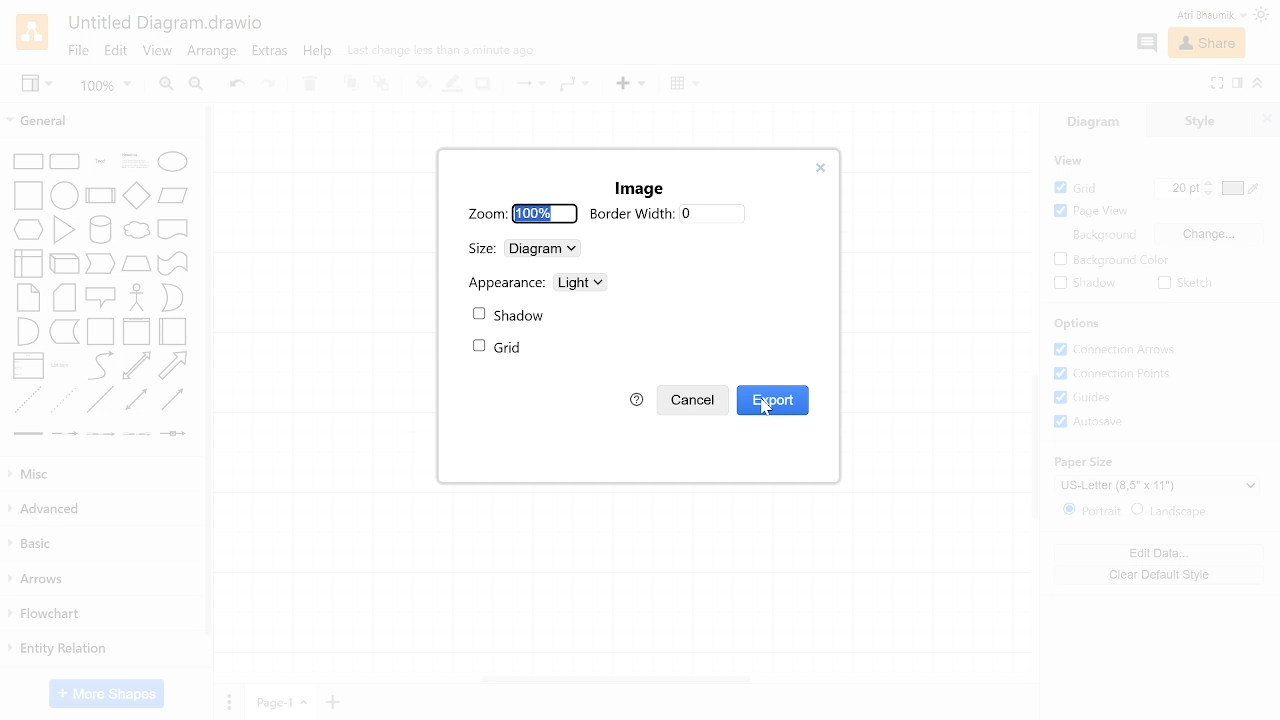 This screenshot has height=720, width=1280. What do you see at coordinates (506, 283) in the screenshot?
I see `Appearance:` at bounding box center [506, 283].